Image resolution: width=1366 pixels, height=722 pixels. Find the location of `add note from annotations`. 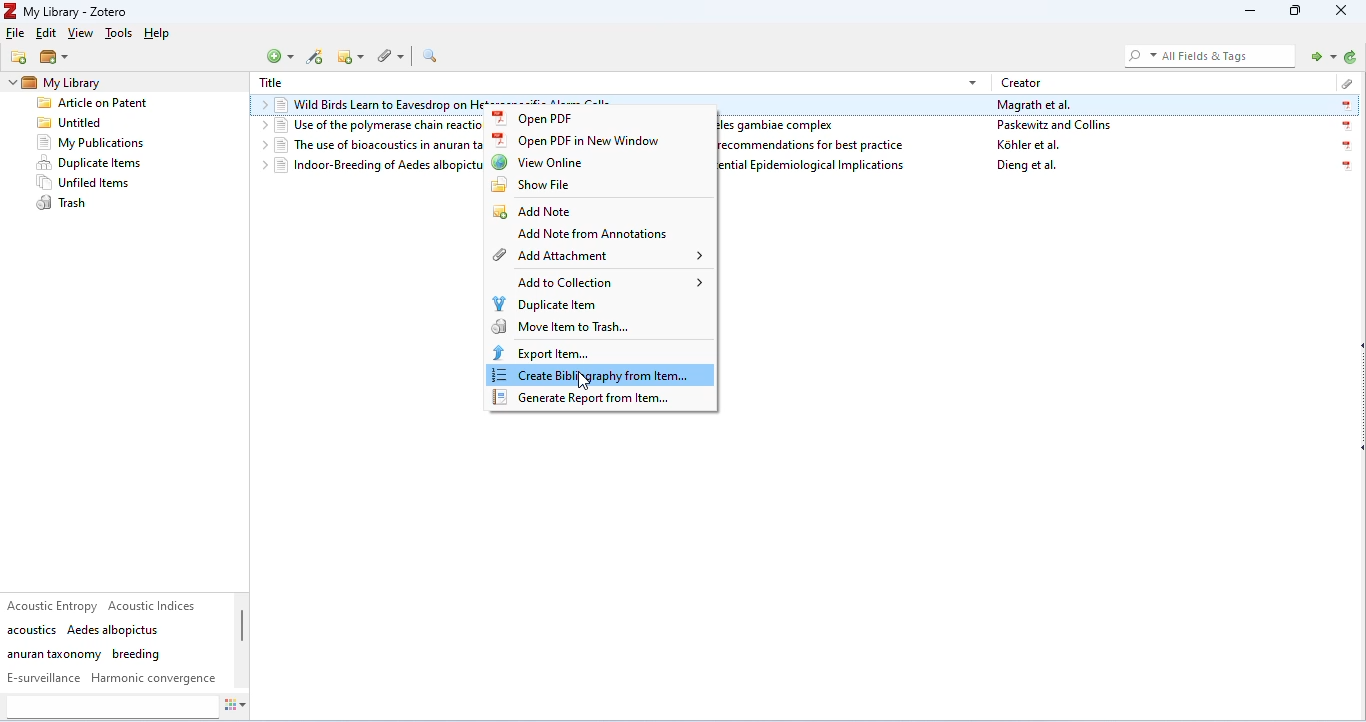

add note from annotations is located at coordinates (587, 235).